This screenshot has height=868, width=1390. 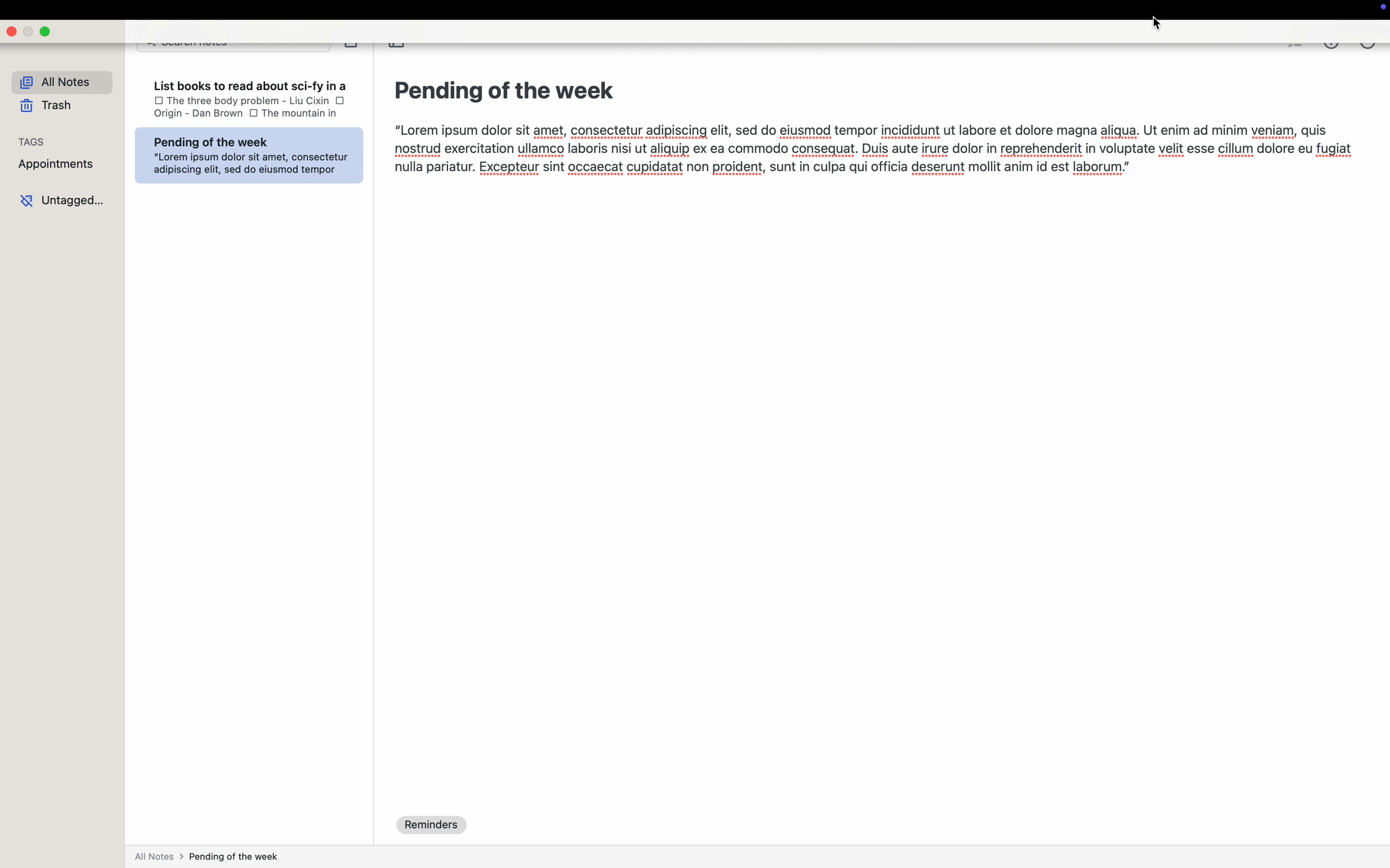 What do you see at coordinates (11, 30) in the screenshot?
I see `close Simplenote` at bounding box center [11, 30].